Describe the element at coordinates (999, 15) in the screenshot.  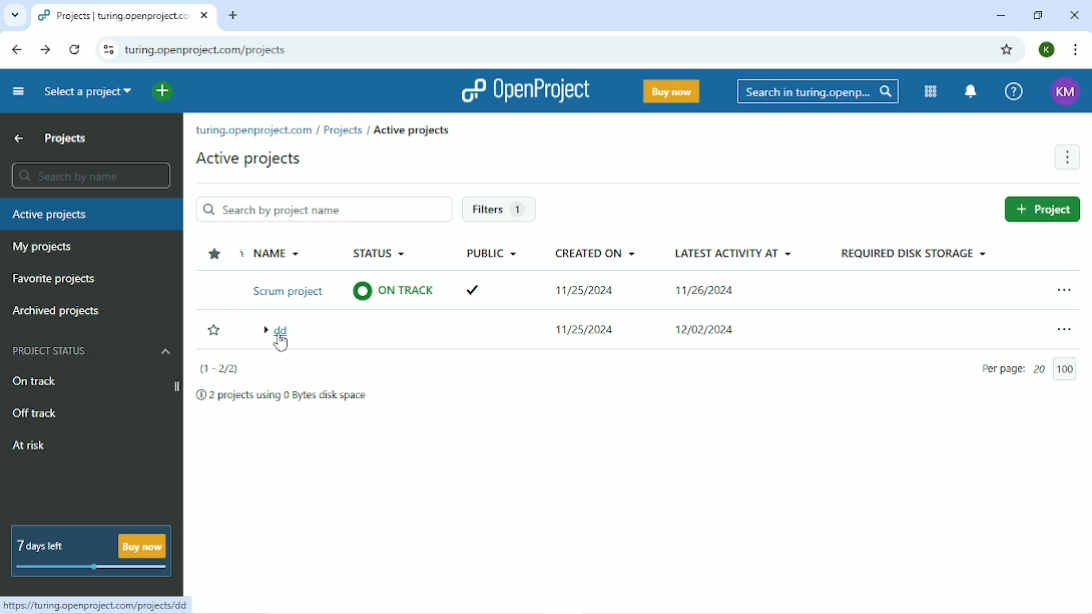
I see `Minimize` at that location.